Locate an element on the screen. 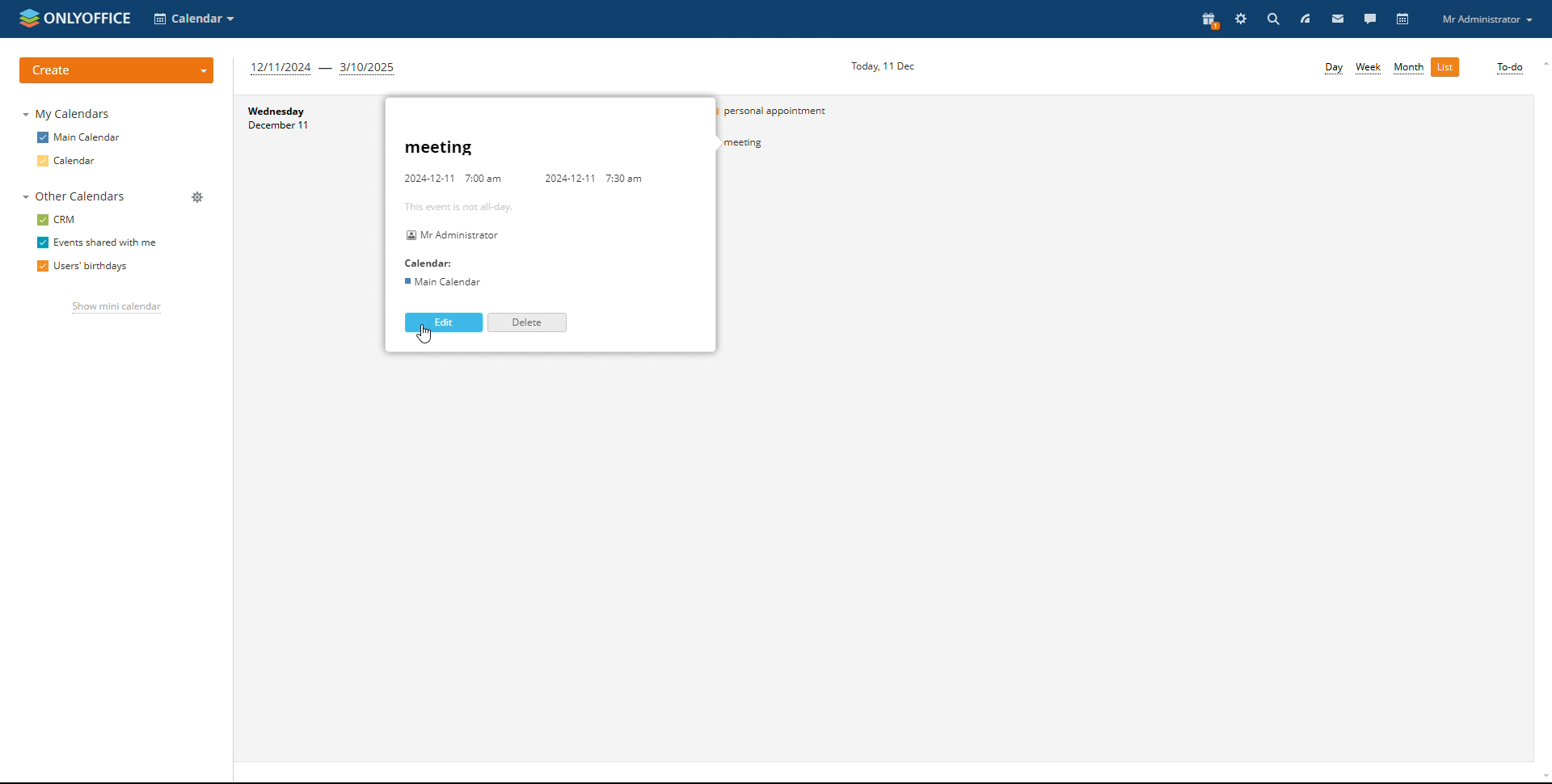  to-do is located at coordinates (1509, 69).